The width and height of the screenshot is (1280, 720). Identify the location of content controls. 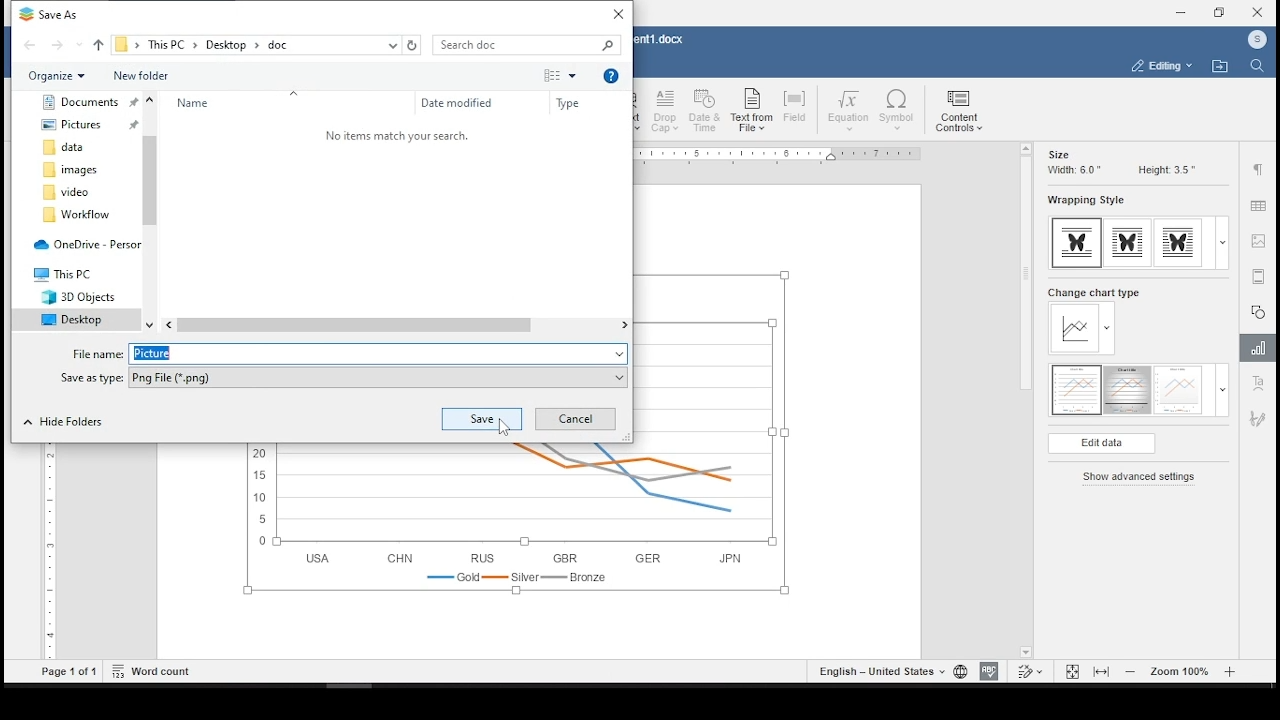
(961, 111).